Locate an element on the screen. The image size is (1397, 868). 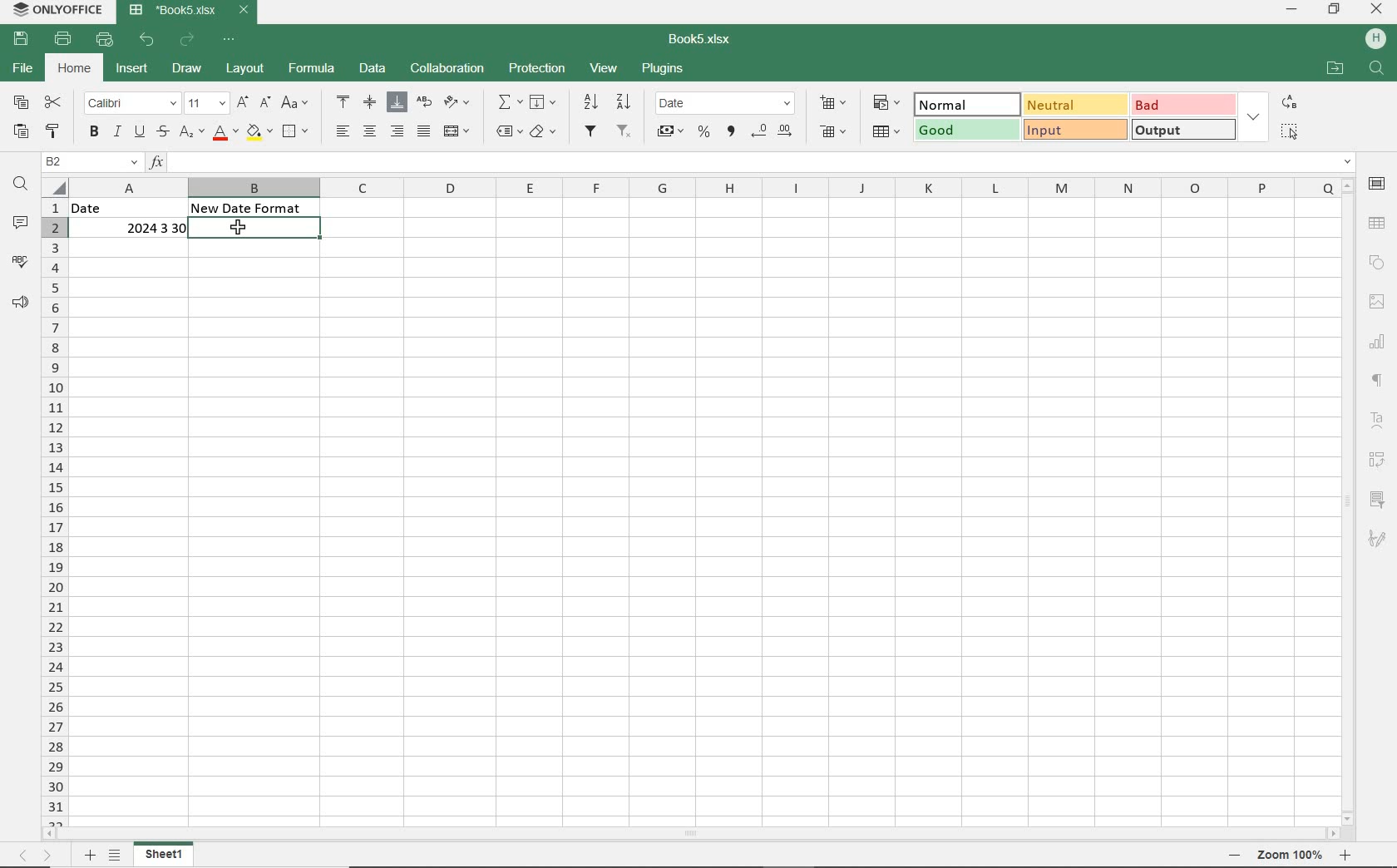
FONT is located at coordinates (131, 104).